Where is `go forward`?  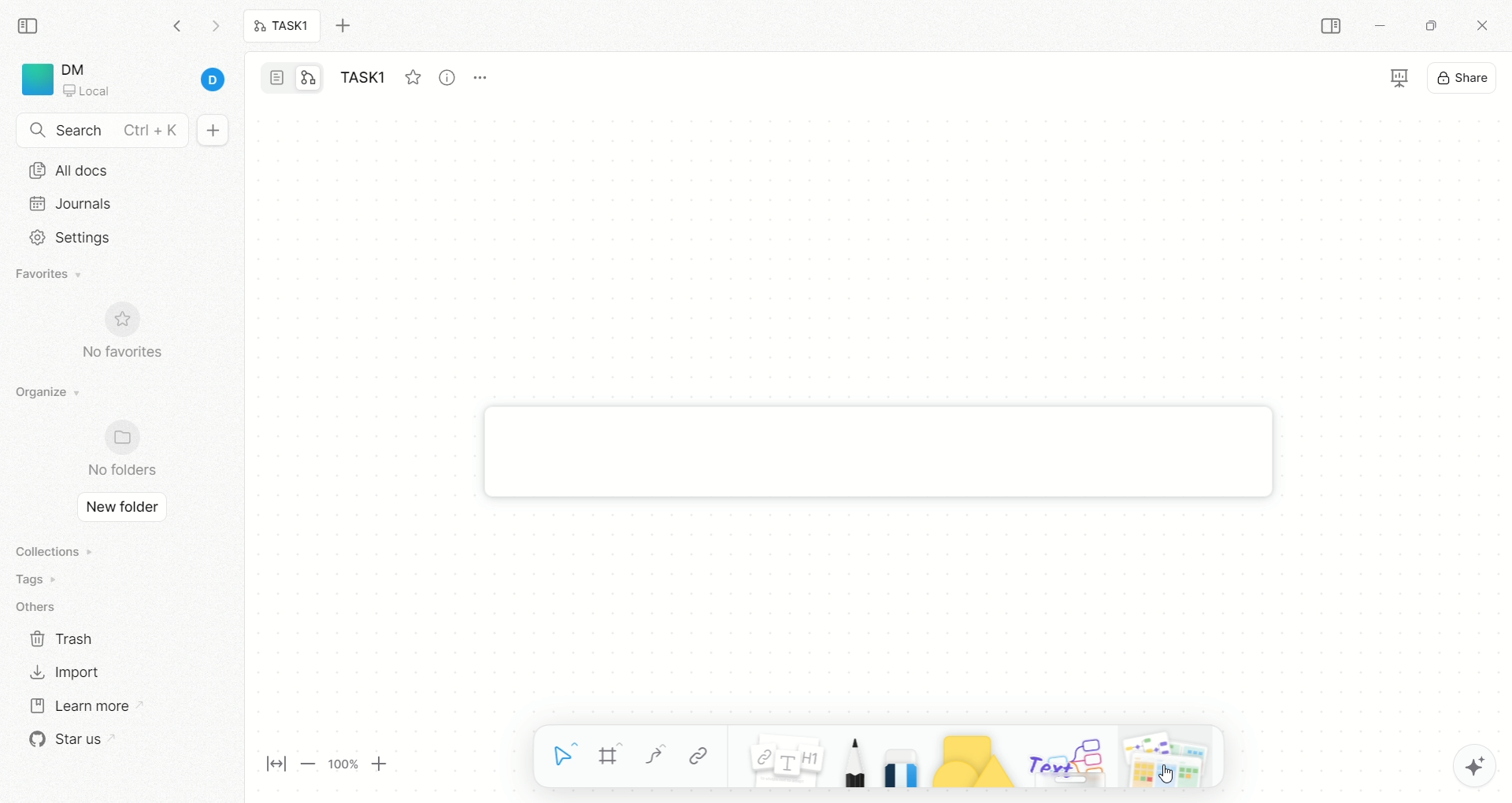
go forward is located at coordinates (215, 30).